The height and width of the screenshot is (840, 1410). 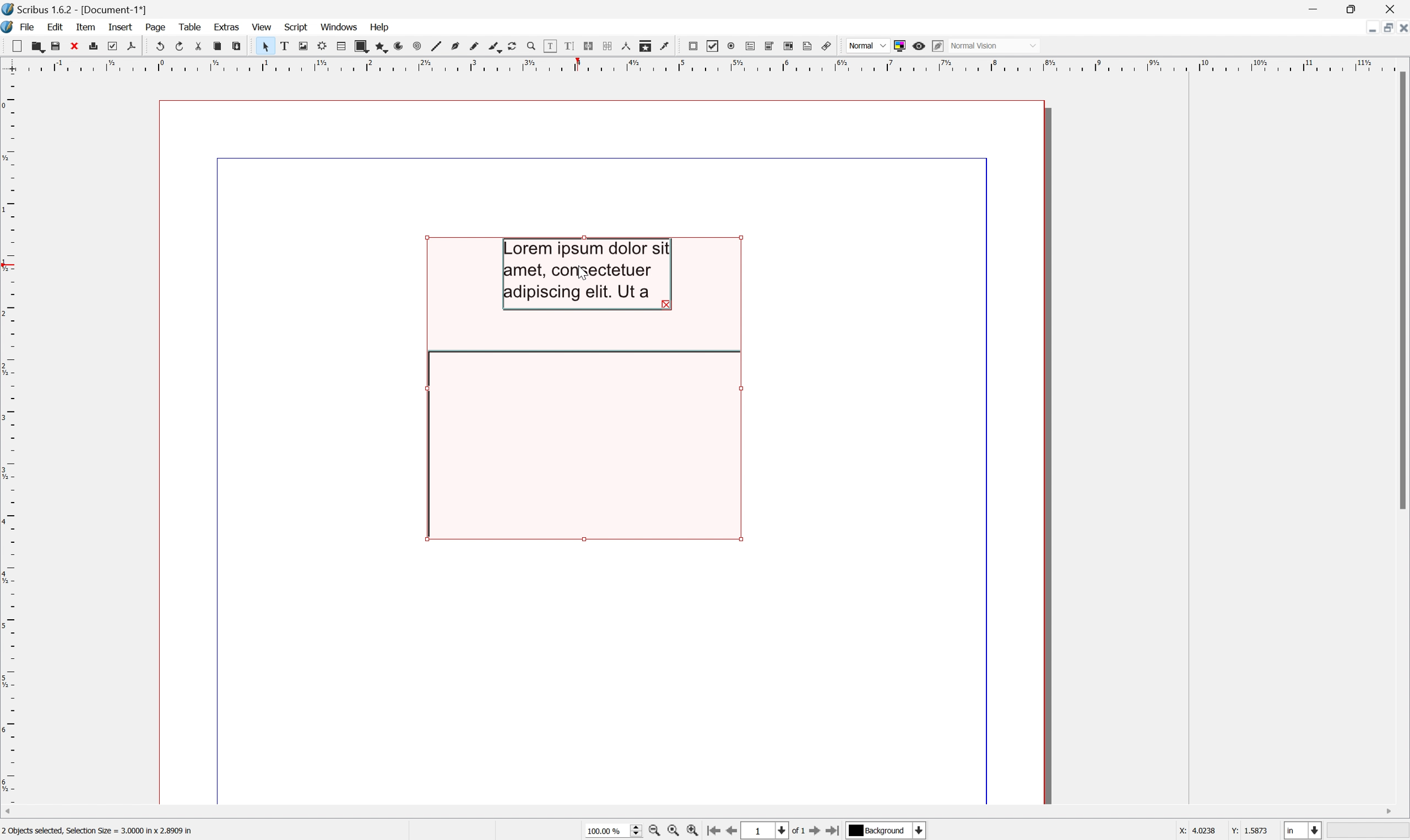 What do you see at coordinates (25, 27) in the screenshot?
I see `File` at bounding box center [25, 27].